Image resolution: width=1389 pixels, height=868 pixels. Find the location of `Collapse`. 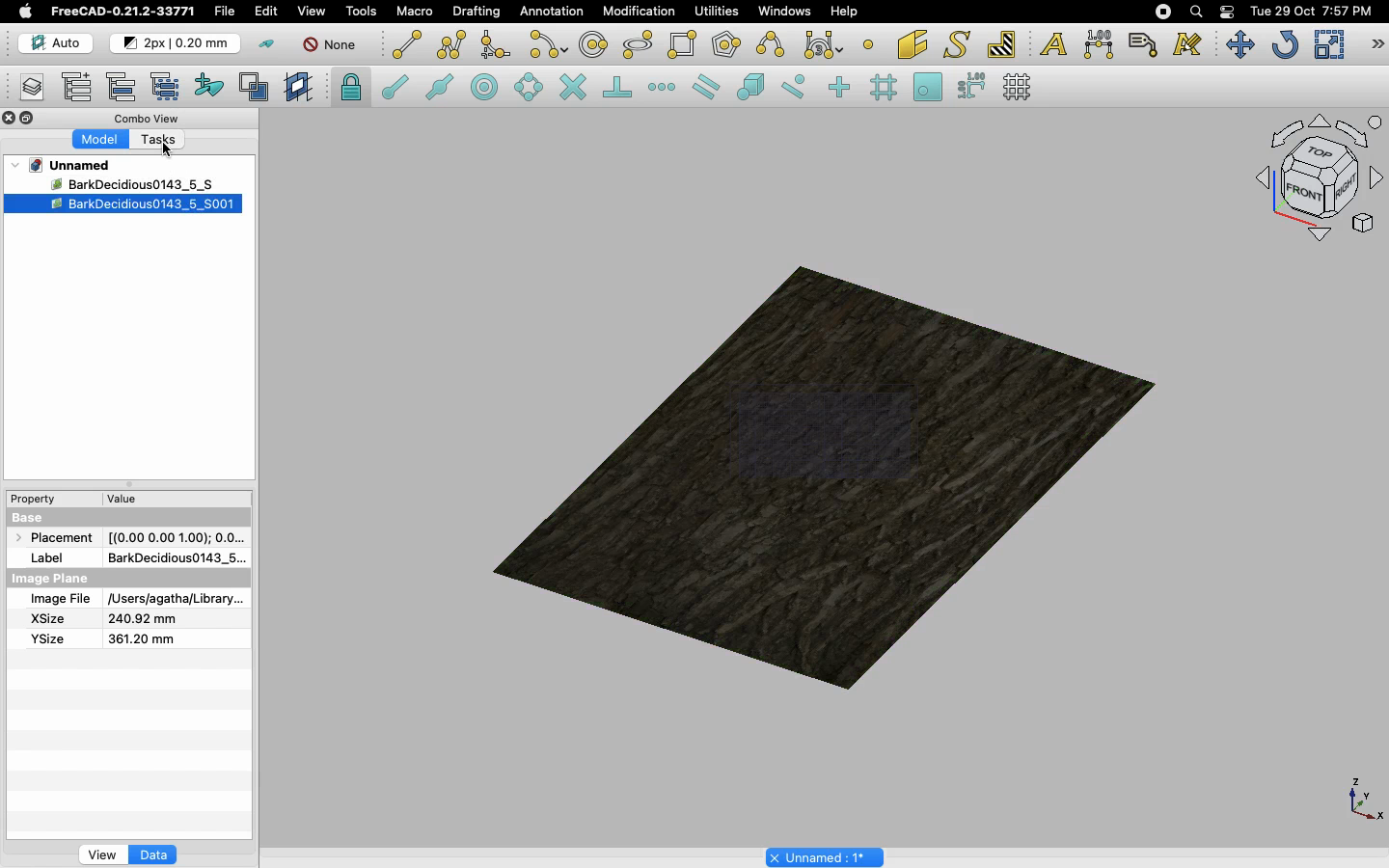

Collapse is located at coordinates (28, 119).